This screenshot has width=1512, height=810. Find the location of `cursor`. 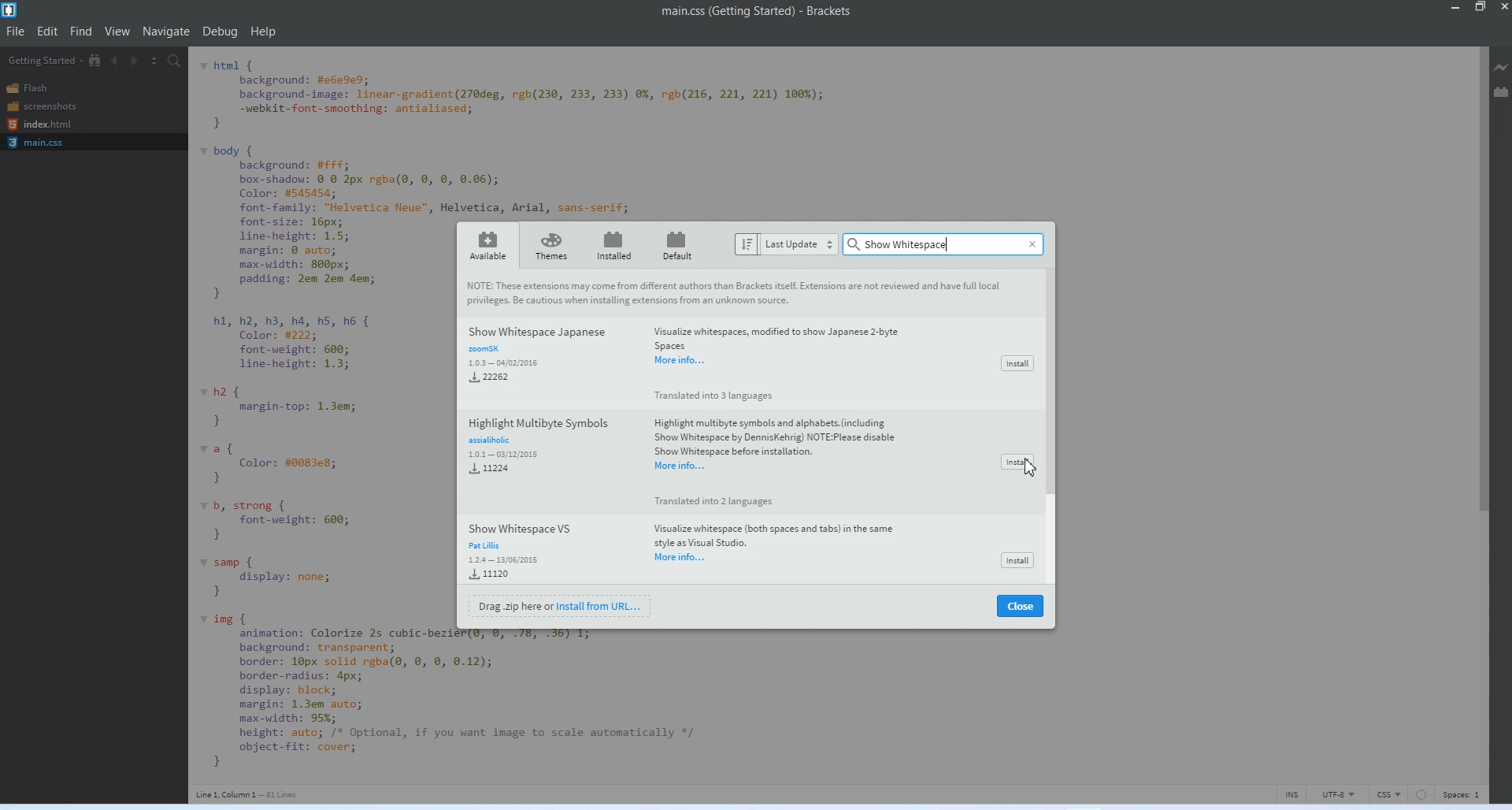

cursor is located at coordinates (1031, 471).